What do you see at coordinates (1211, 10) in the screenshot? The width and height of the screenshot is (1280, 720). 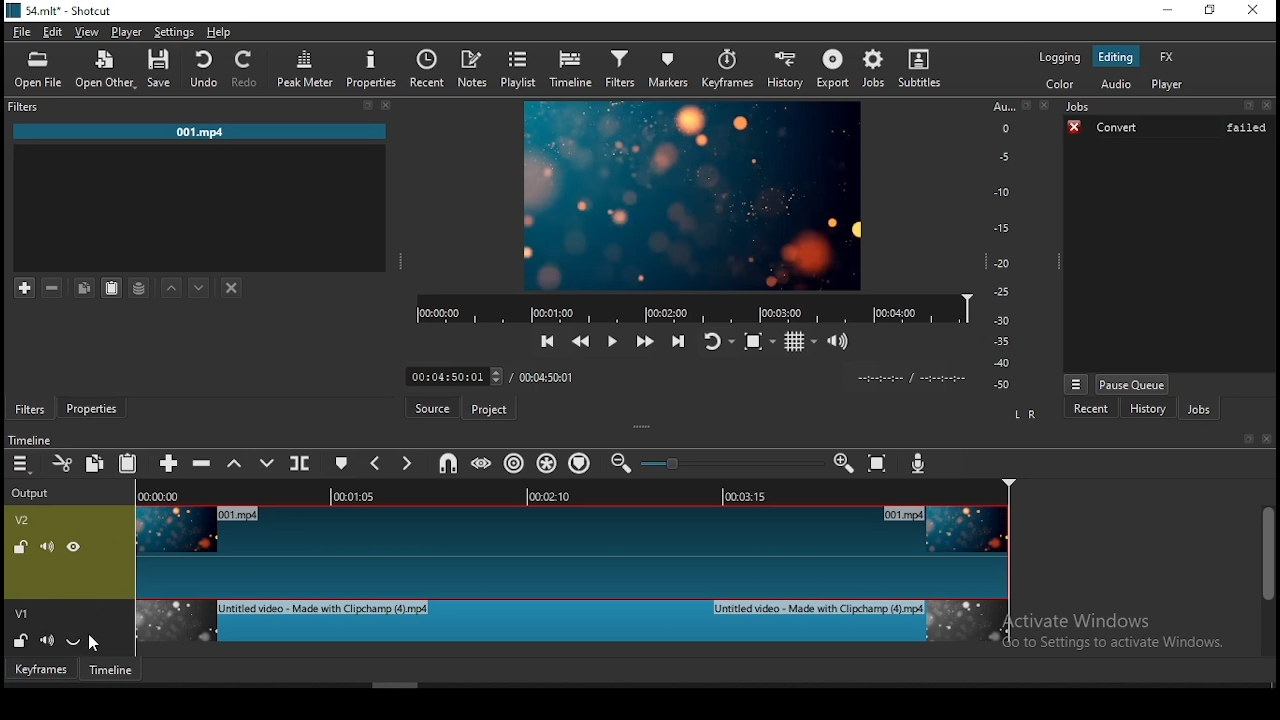 I see `restore` at bounding box center [1211, 10].